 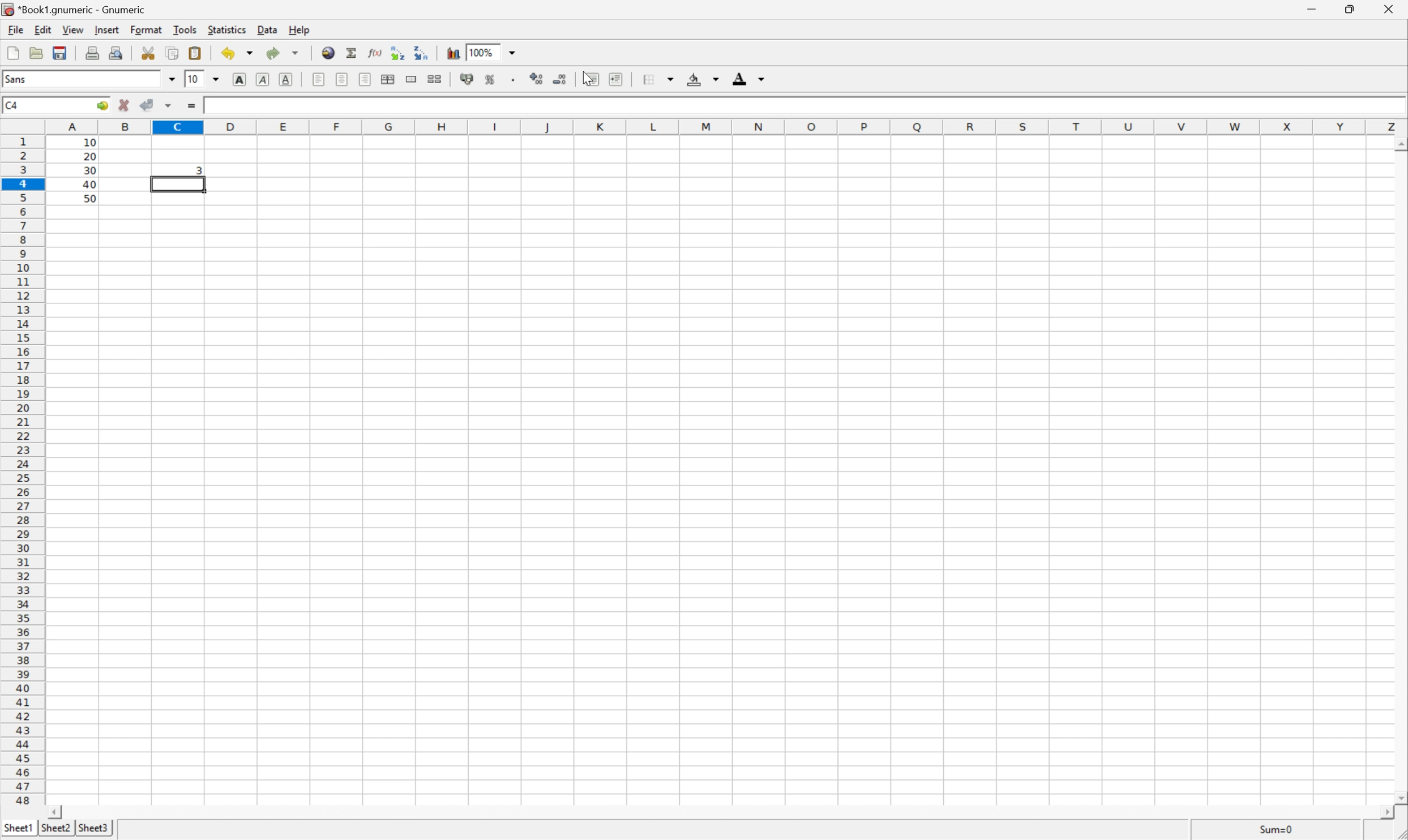 I want to click on 10, so click(x=89, y=143).